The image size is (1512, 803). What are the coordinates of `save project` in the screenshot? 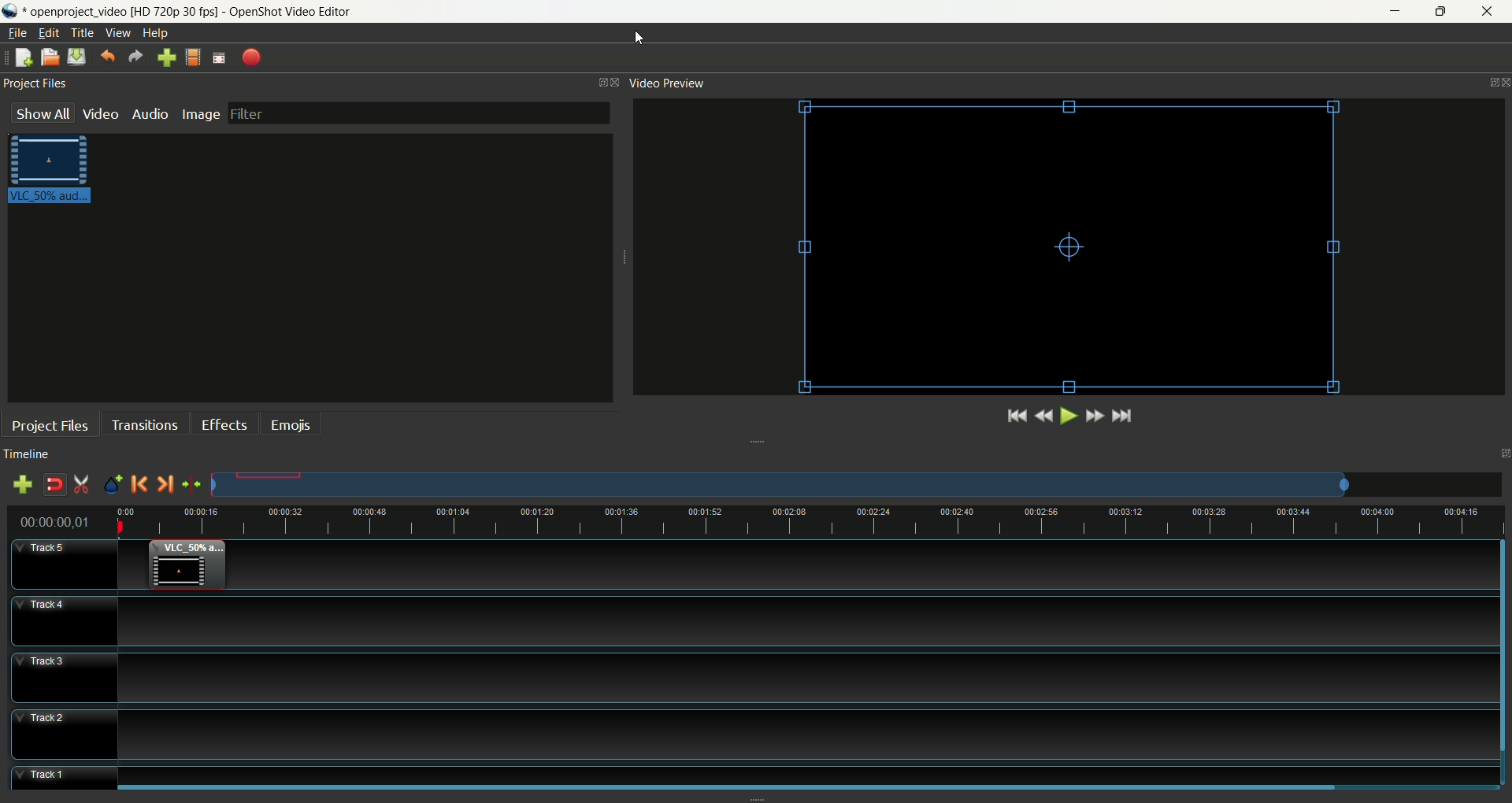 It's located at (76, 56).